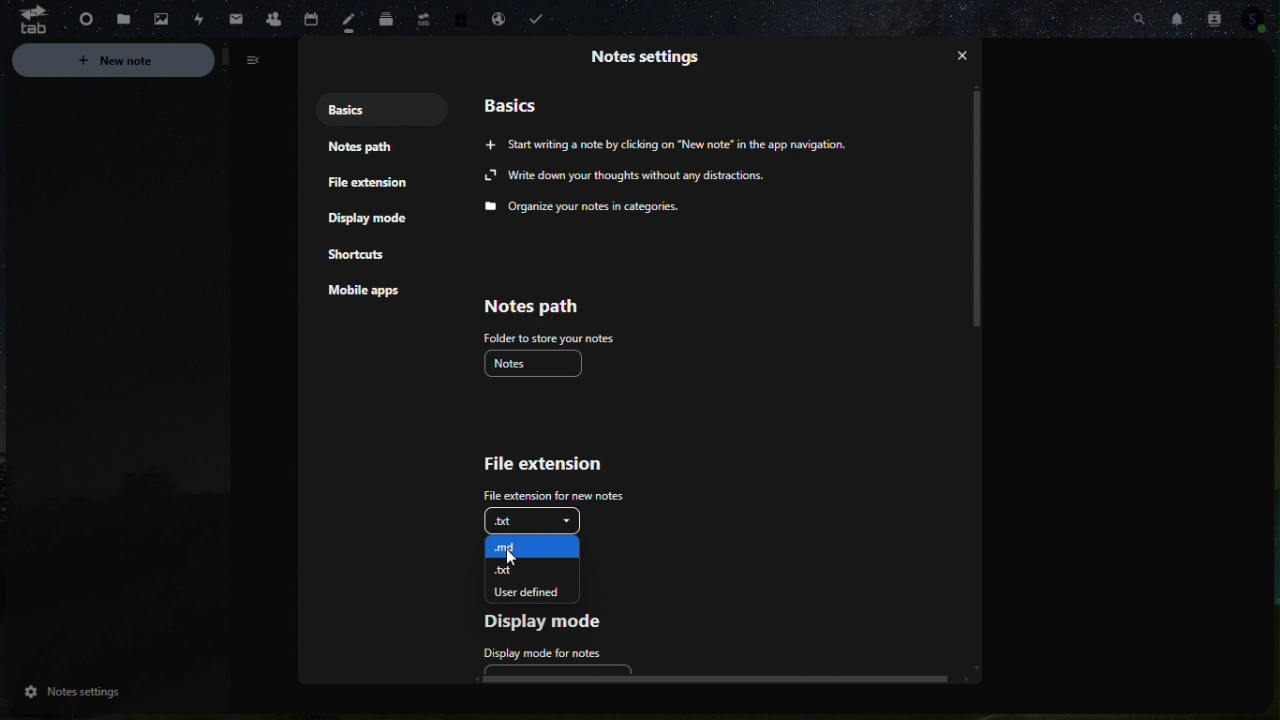  I want to click on upgrade, so click(422, 17).